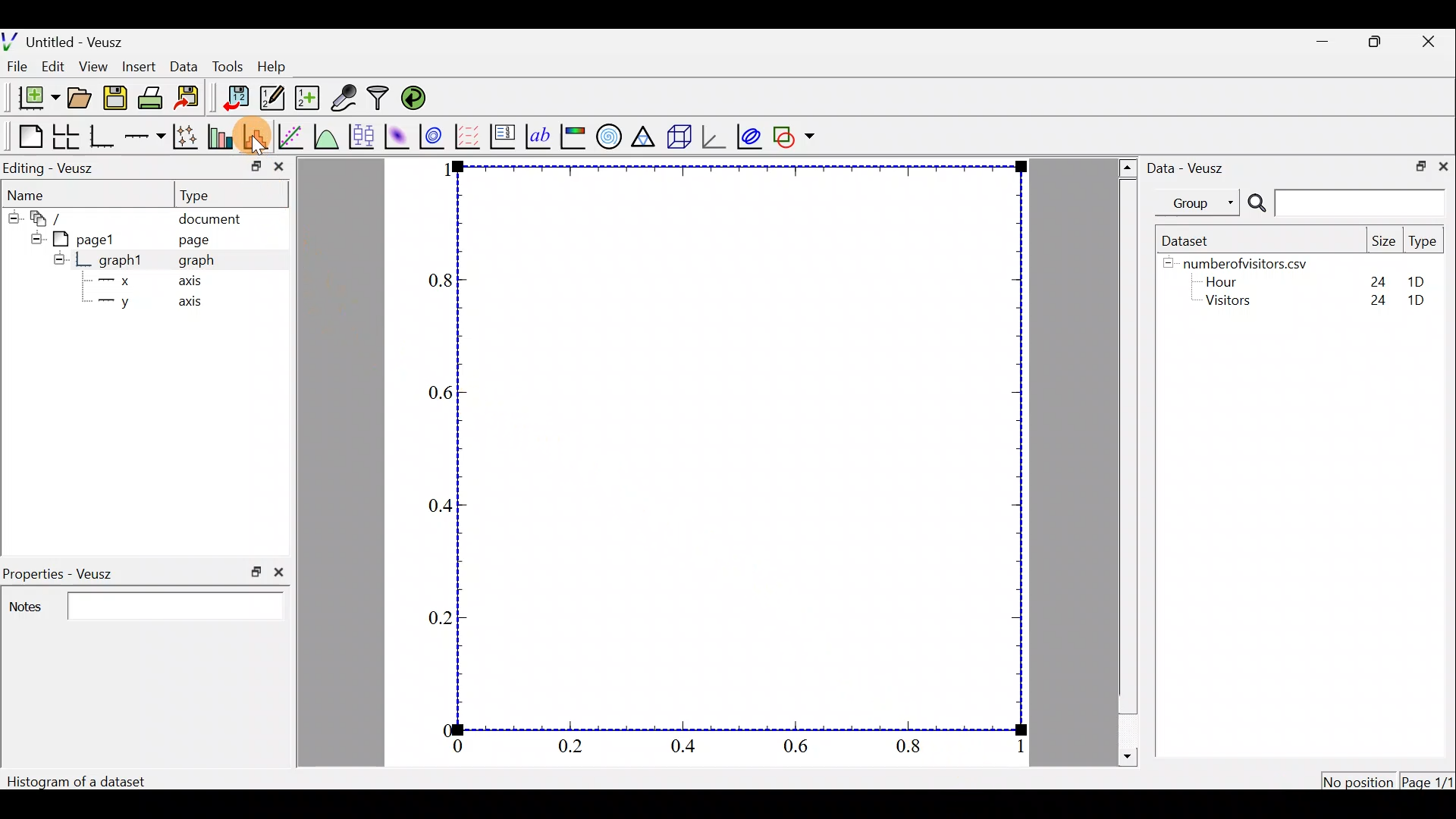  I want to click on Graph, so click(738, 448).